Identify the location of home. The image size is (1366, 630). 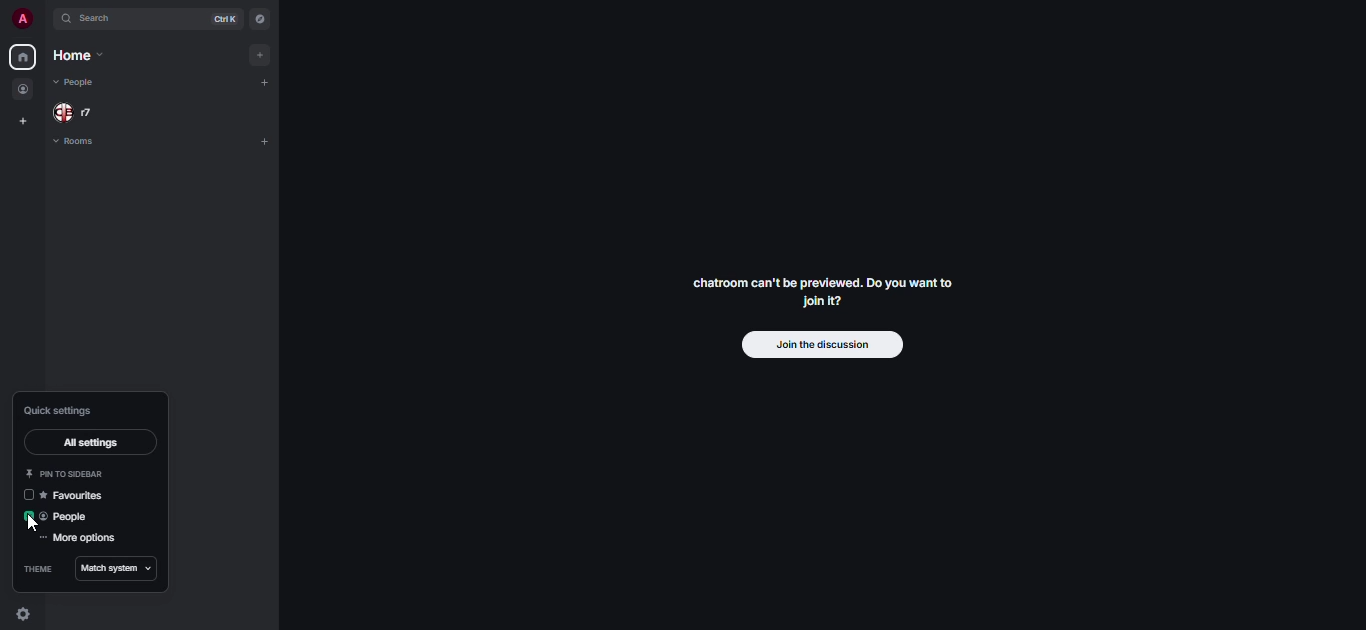
(21, 57).